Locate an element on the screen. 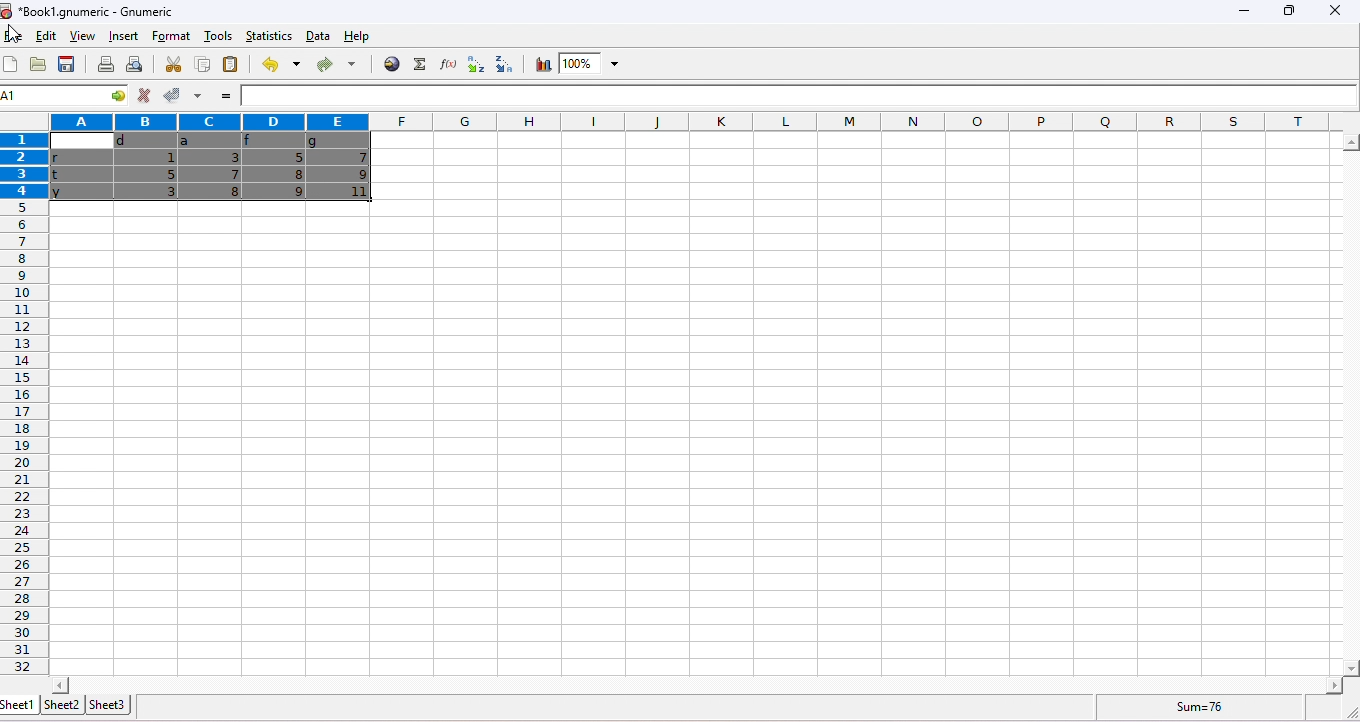  maximize is located at coordinates (1286, 11).